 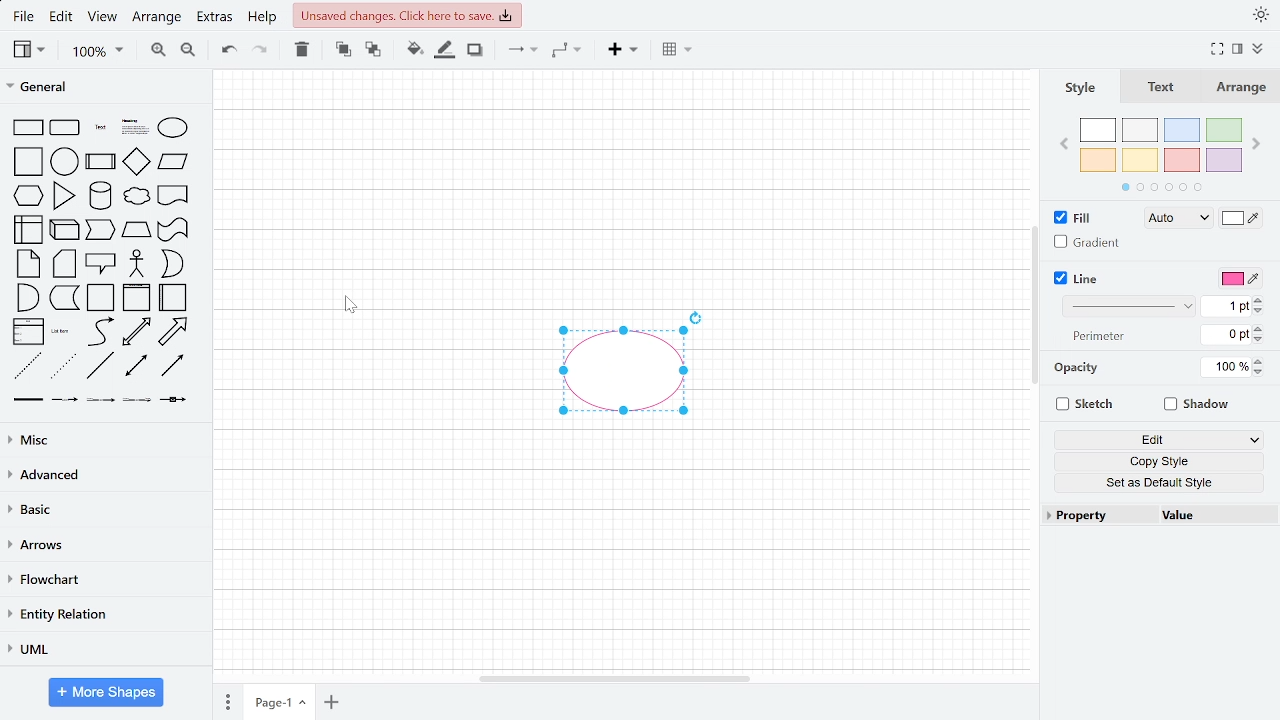 I want to click on perimeter, so click(x=1095, y=336).